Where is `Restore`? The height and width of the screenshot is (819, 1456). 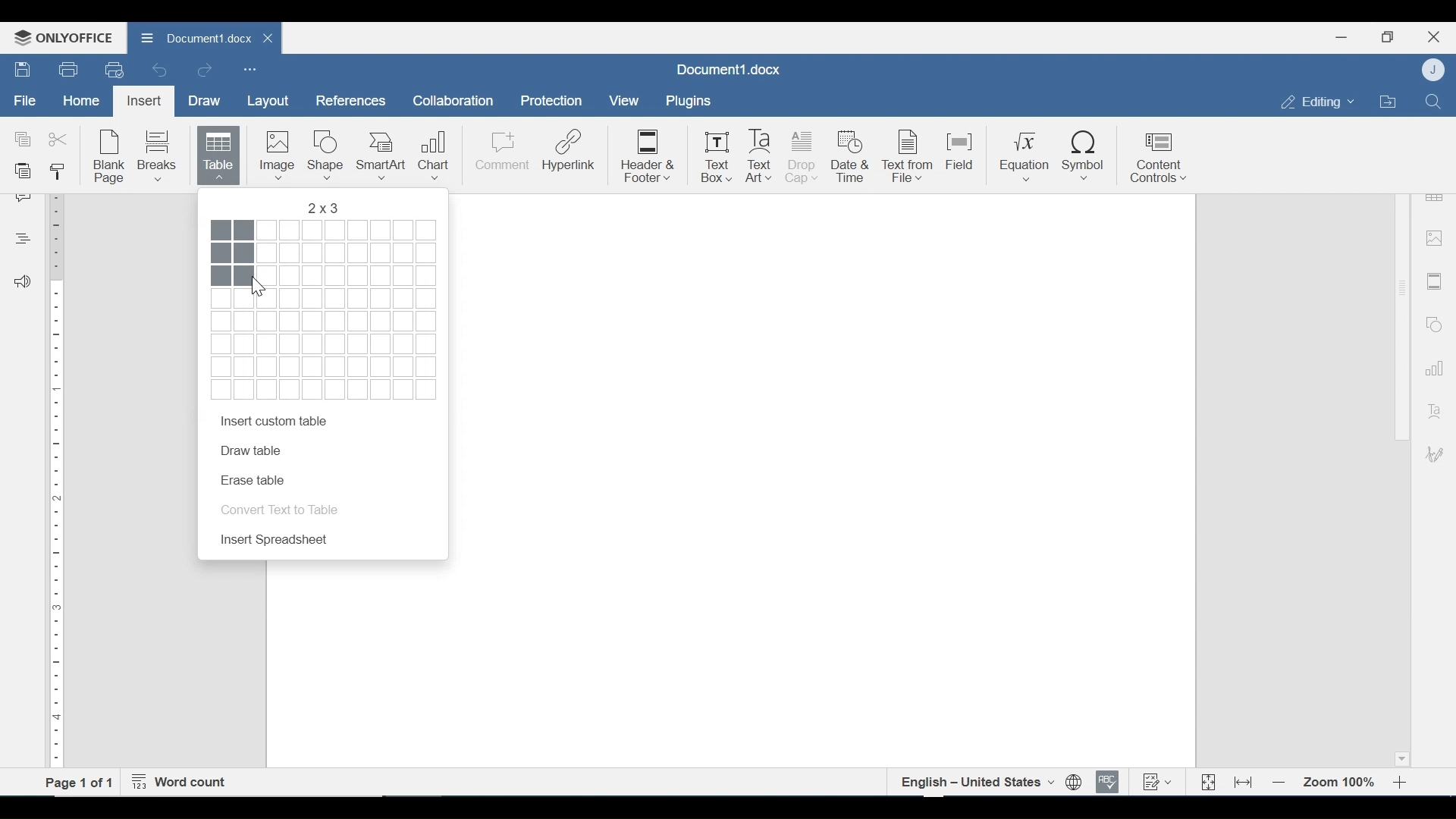
Restore is located at coordinates (1387, 37).